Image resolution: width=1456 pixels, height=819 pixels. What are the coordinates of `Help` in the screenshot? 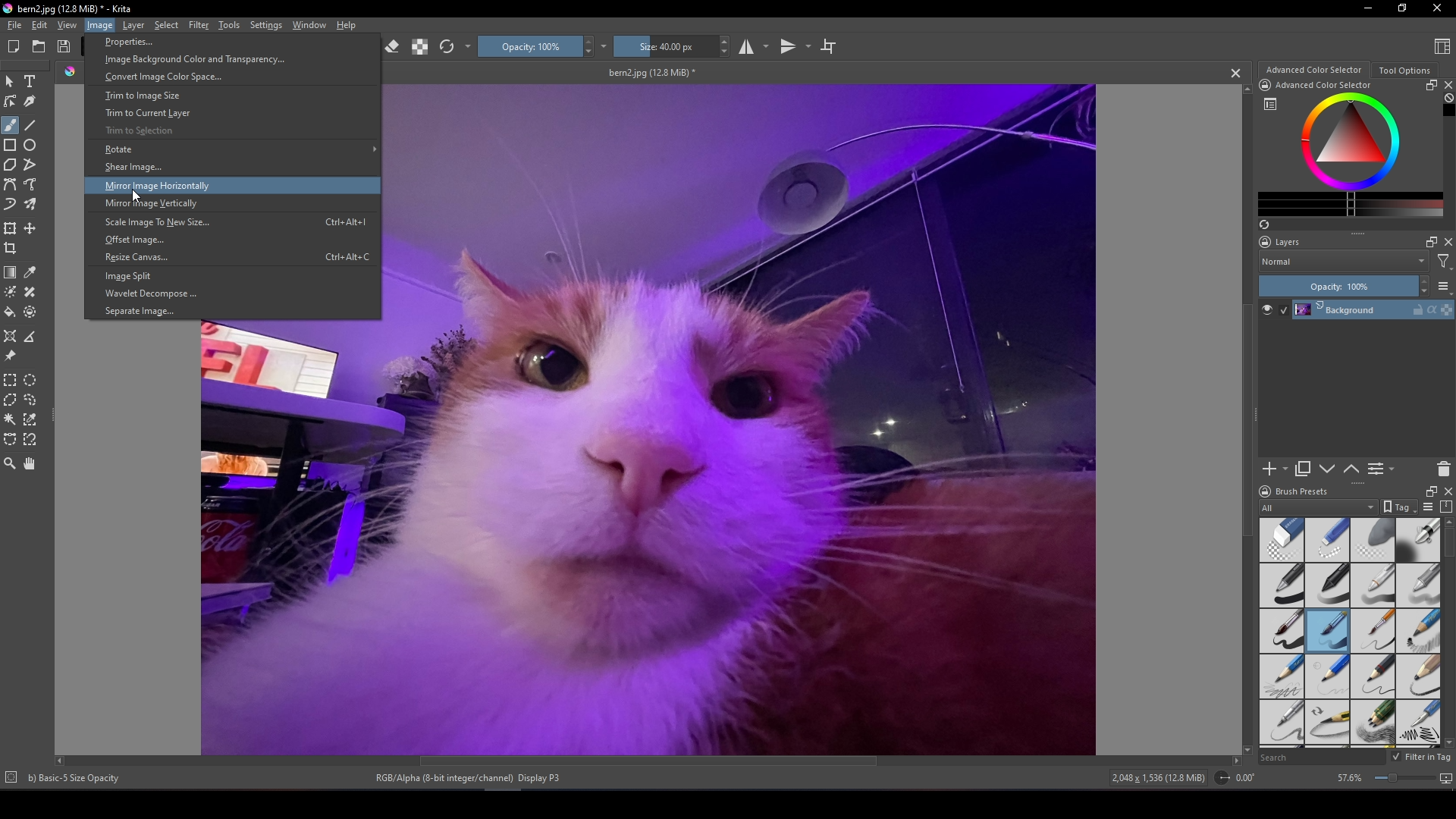 It's located at (347, 24).